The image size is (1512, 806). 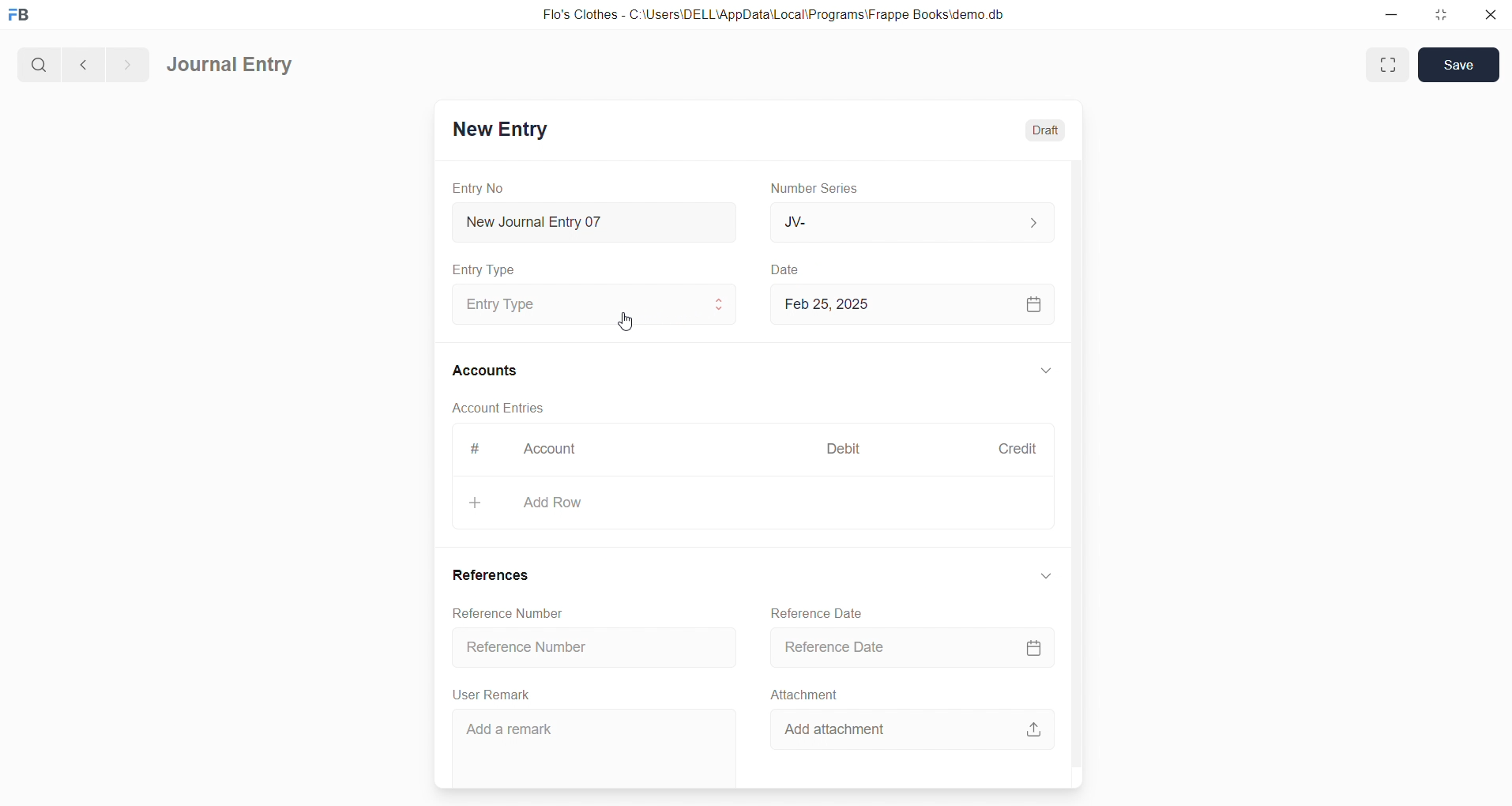 What do you see at coordinates (593, 650) in the screenshot?
I see `Reference Number` at bounding box center [593, 650].